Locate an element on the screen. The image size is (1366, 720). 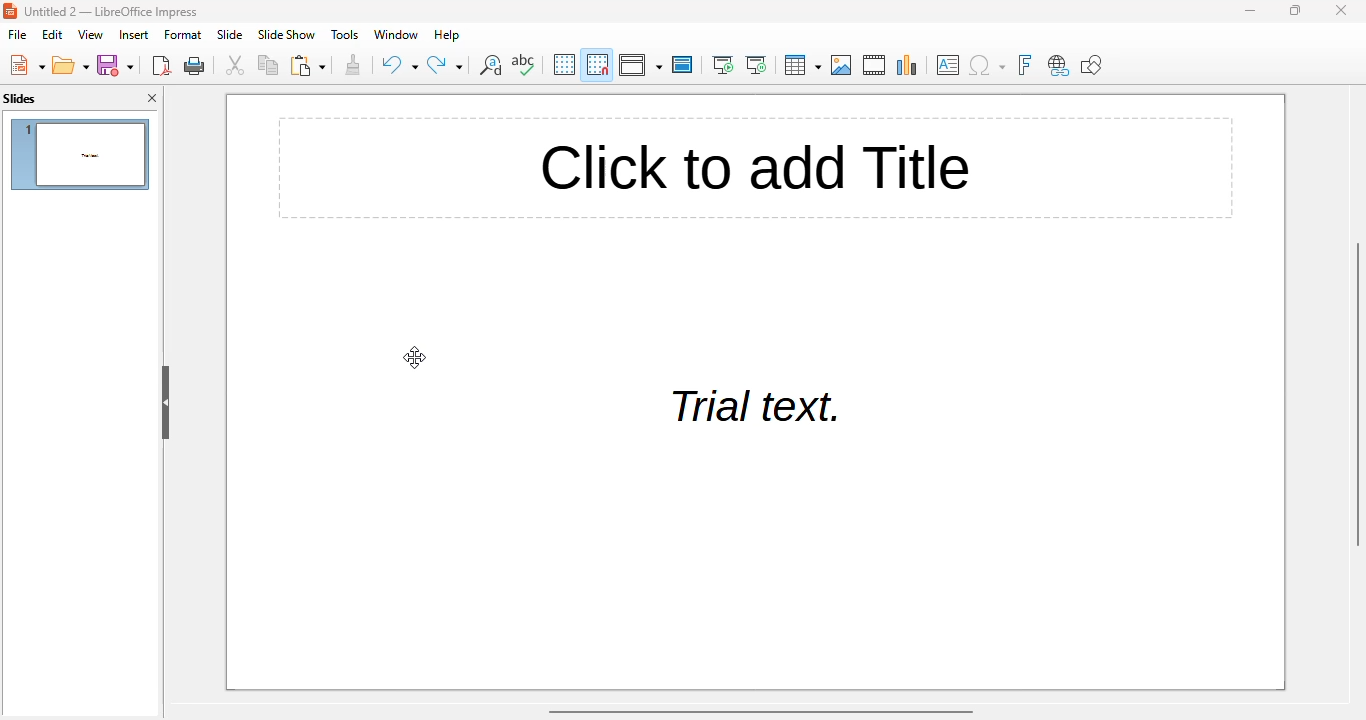
minimize is located at coordinates (1250, 10).